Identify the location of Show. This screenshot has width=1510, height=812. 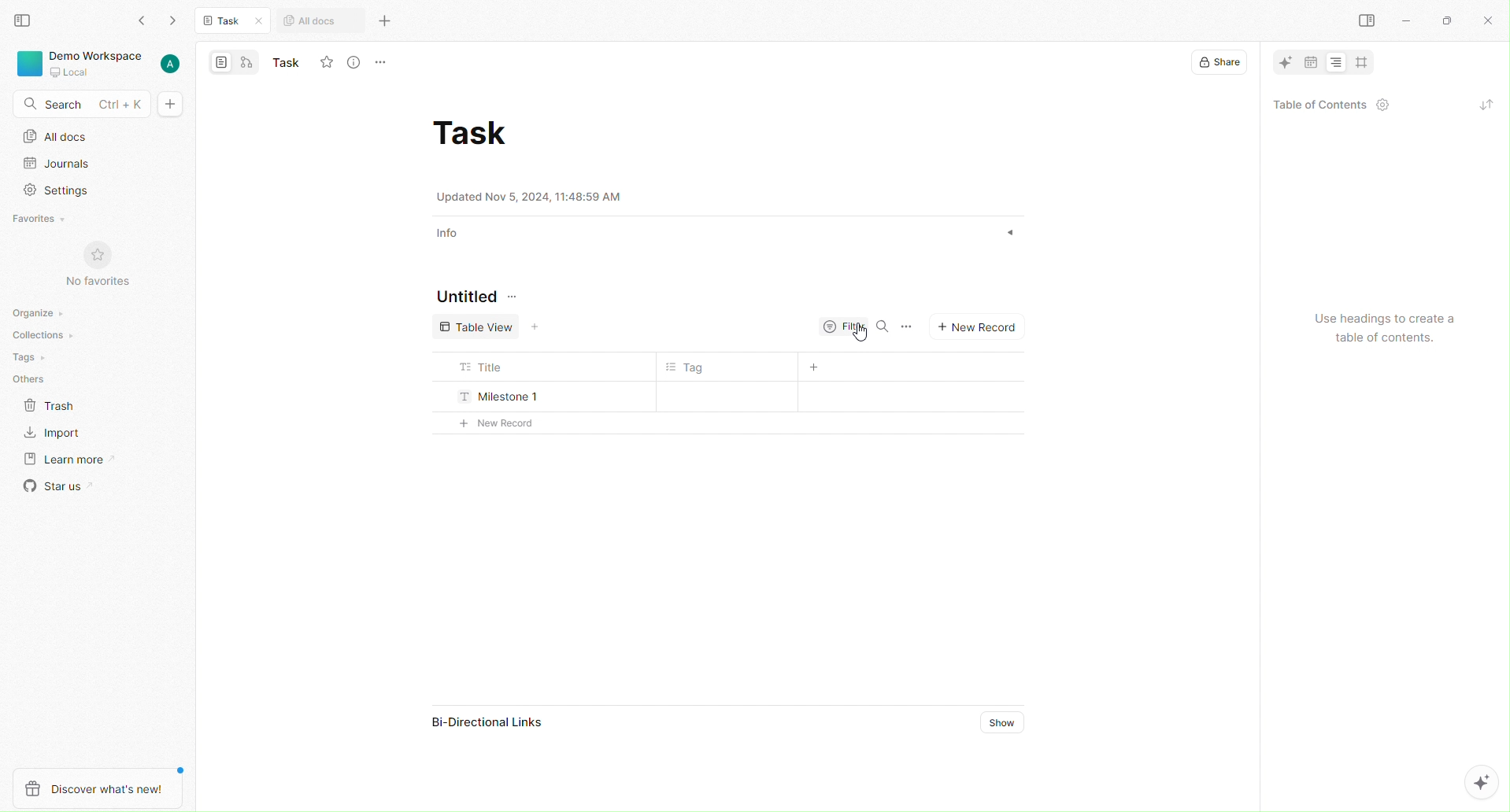
(992, 722).